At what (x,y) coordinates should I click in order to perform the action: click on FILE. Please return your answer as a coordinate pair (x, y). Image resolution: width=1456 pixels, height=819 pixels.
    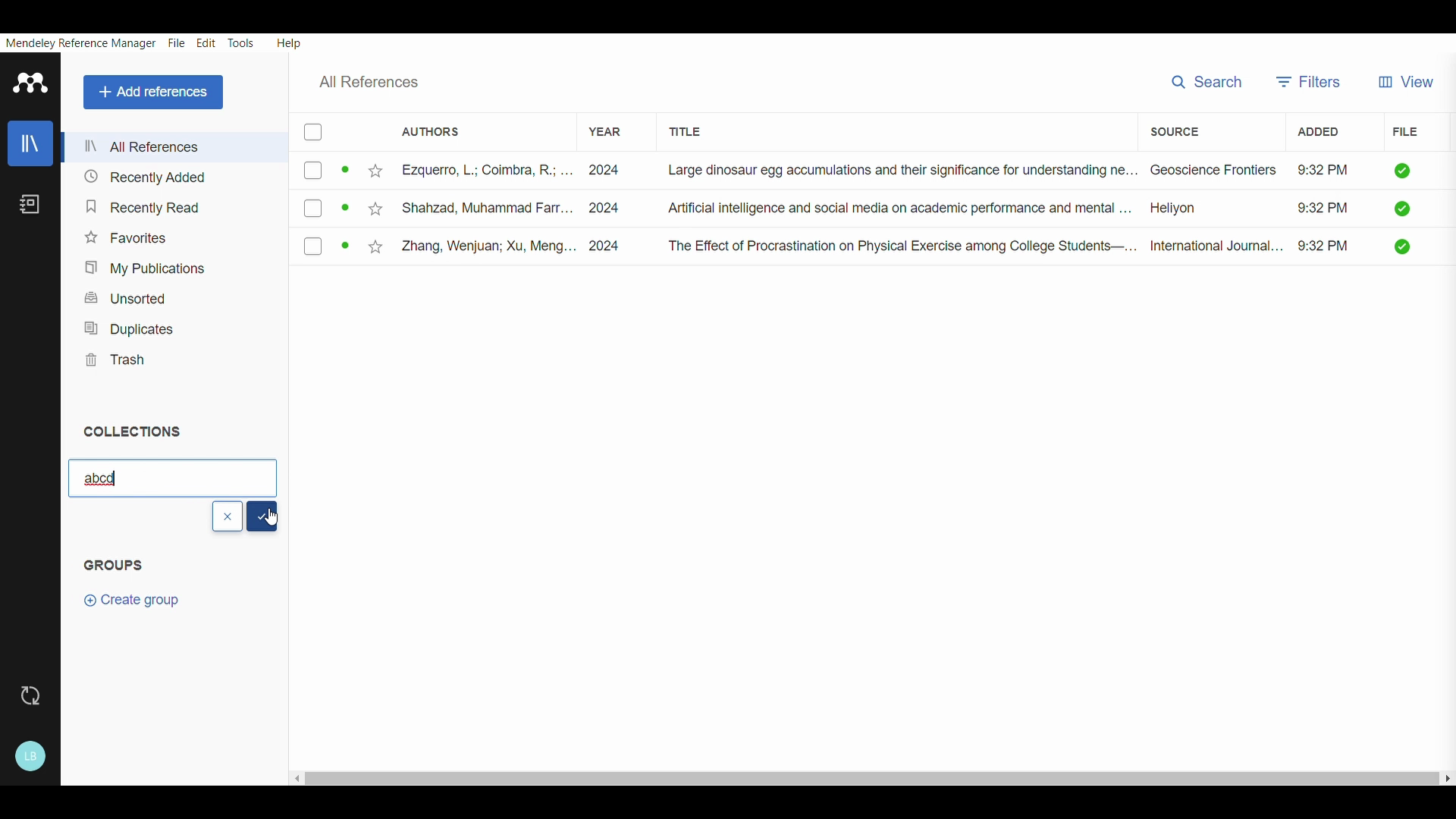
    Looking at the image, I should click on (1404, 133).